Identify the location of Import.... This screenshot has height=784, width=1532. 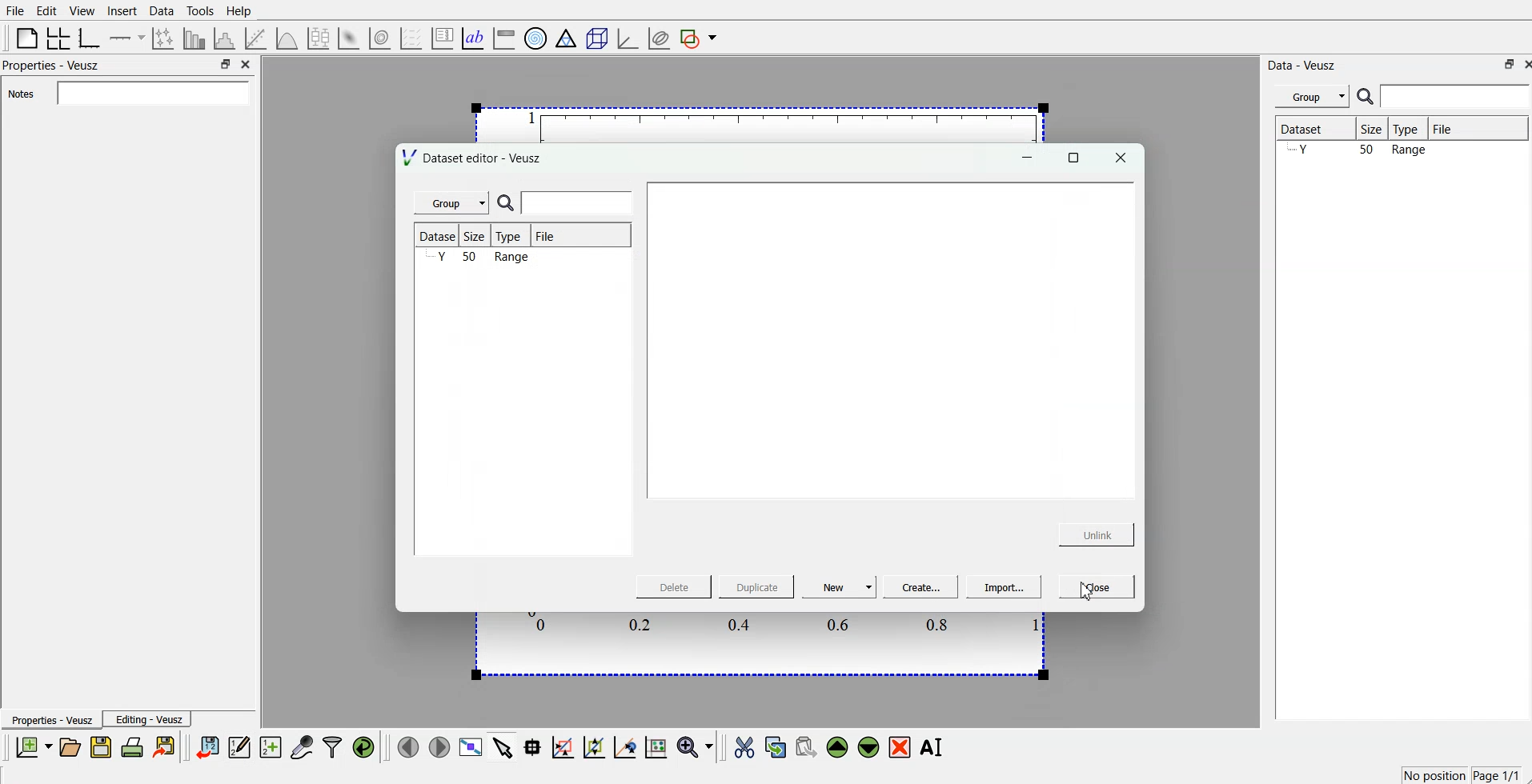
(1005, 587).